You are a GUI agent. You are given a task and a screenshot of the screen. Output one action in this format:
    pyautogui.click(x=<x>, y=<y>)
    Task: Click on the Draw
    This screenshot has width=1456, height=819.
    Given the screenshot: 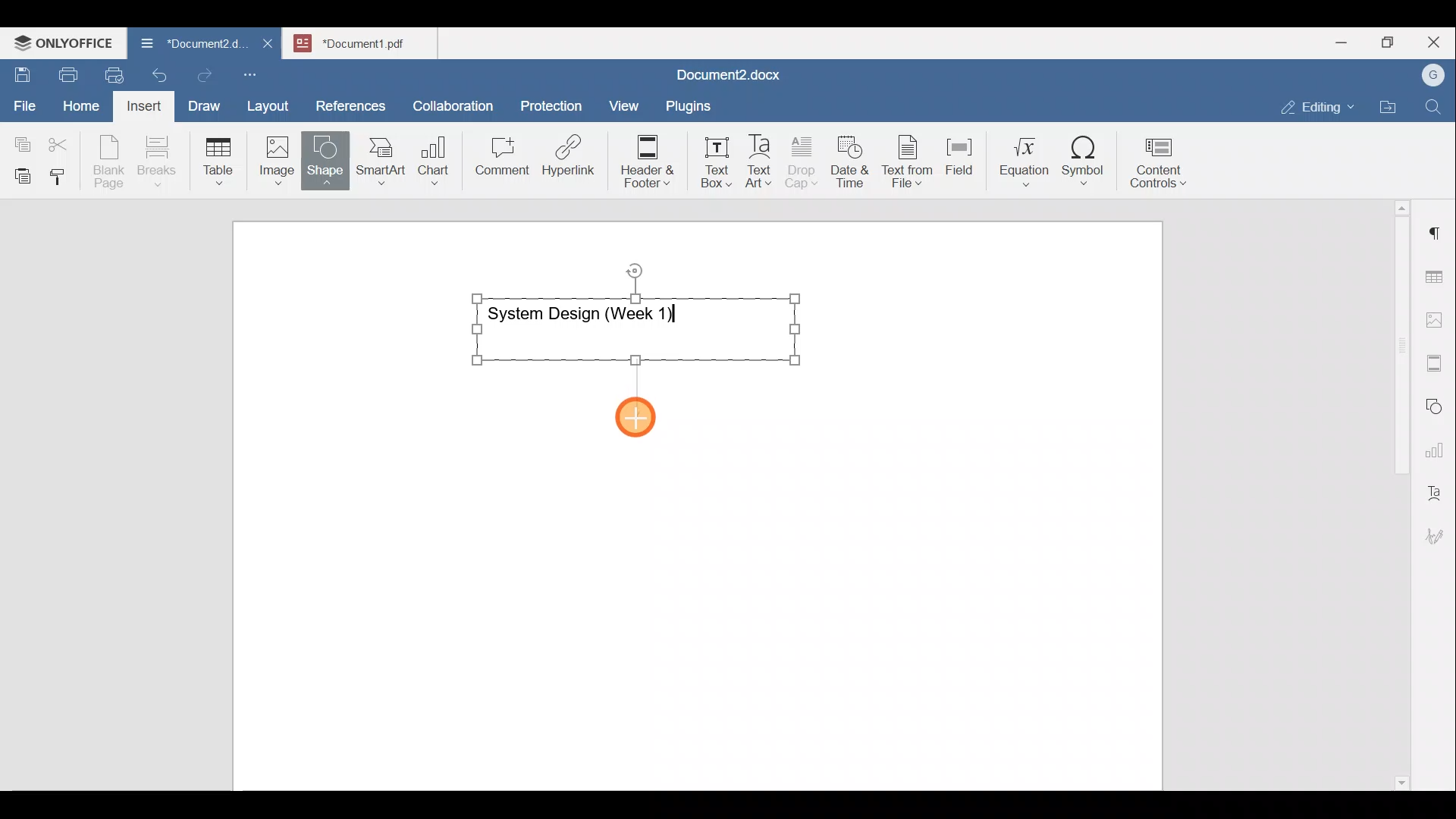 What is the action you would take?
    pyautogui.click(x=202, y=102)
    